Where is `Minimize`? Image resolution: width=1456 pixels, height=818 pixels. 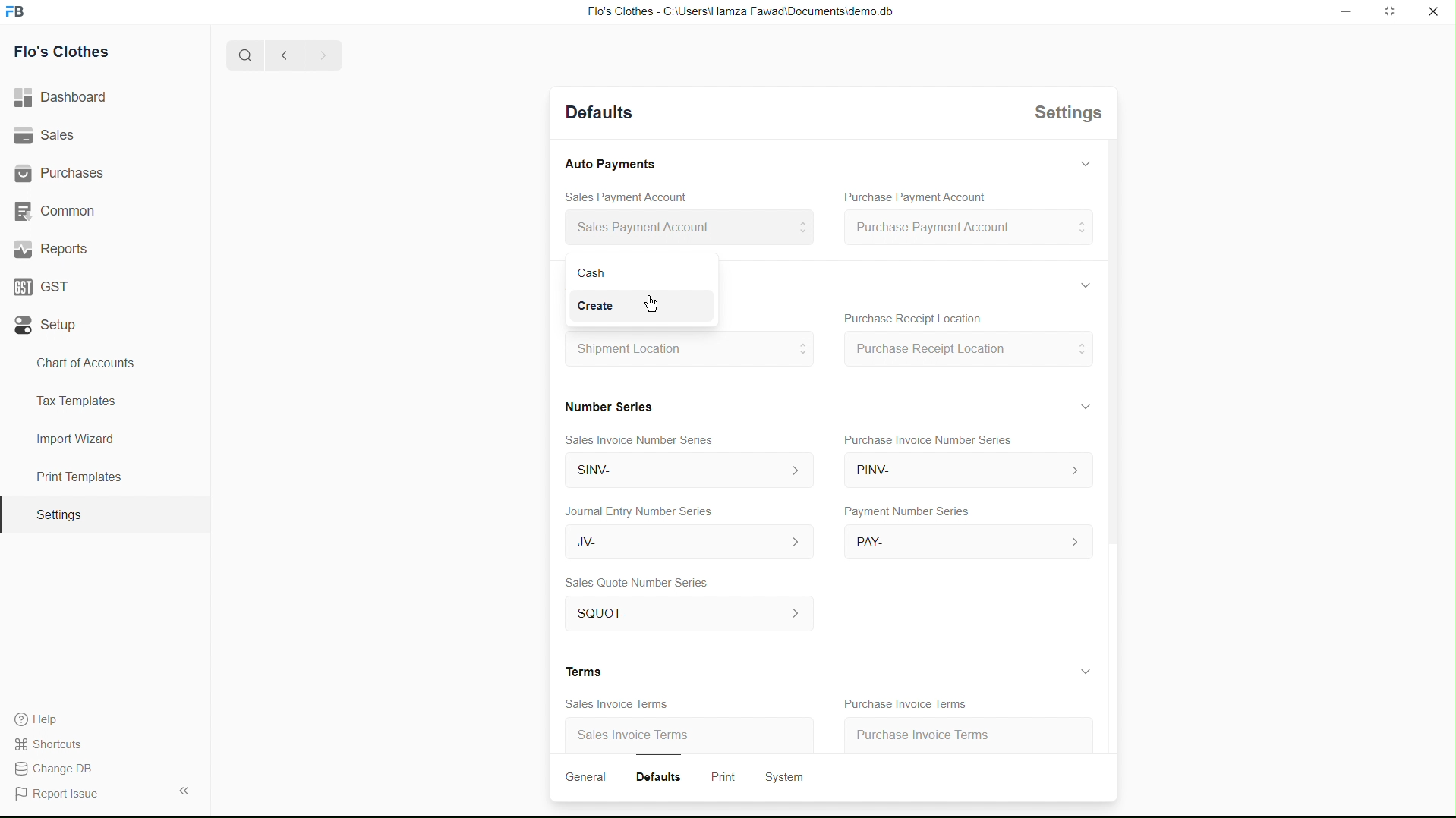
Minimize is located at coordinates (1343, 12).